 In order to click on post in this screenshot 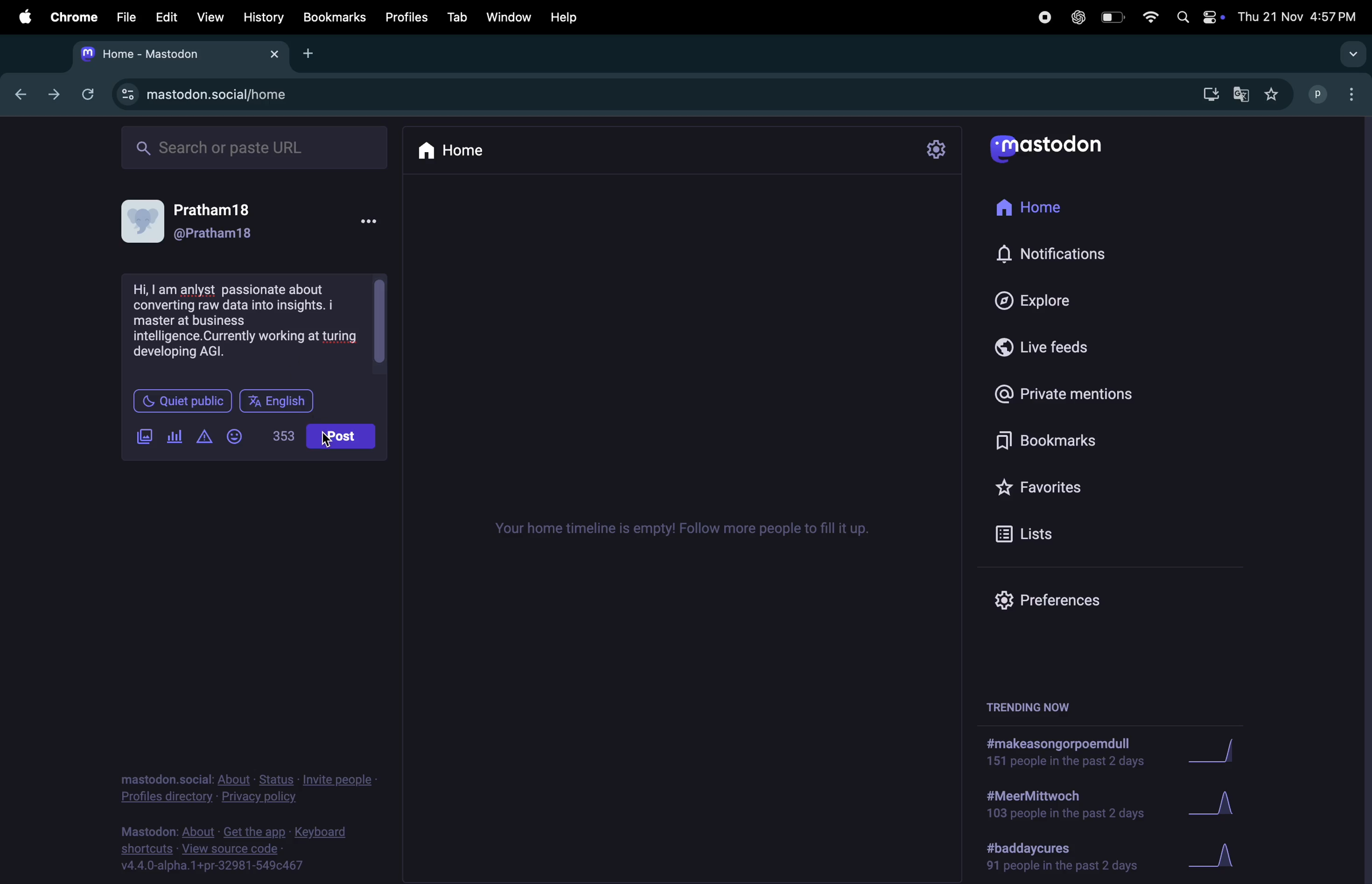, I will do `click(341, 436)`.